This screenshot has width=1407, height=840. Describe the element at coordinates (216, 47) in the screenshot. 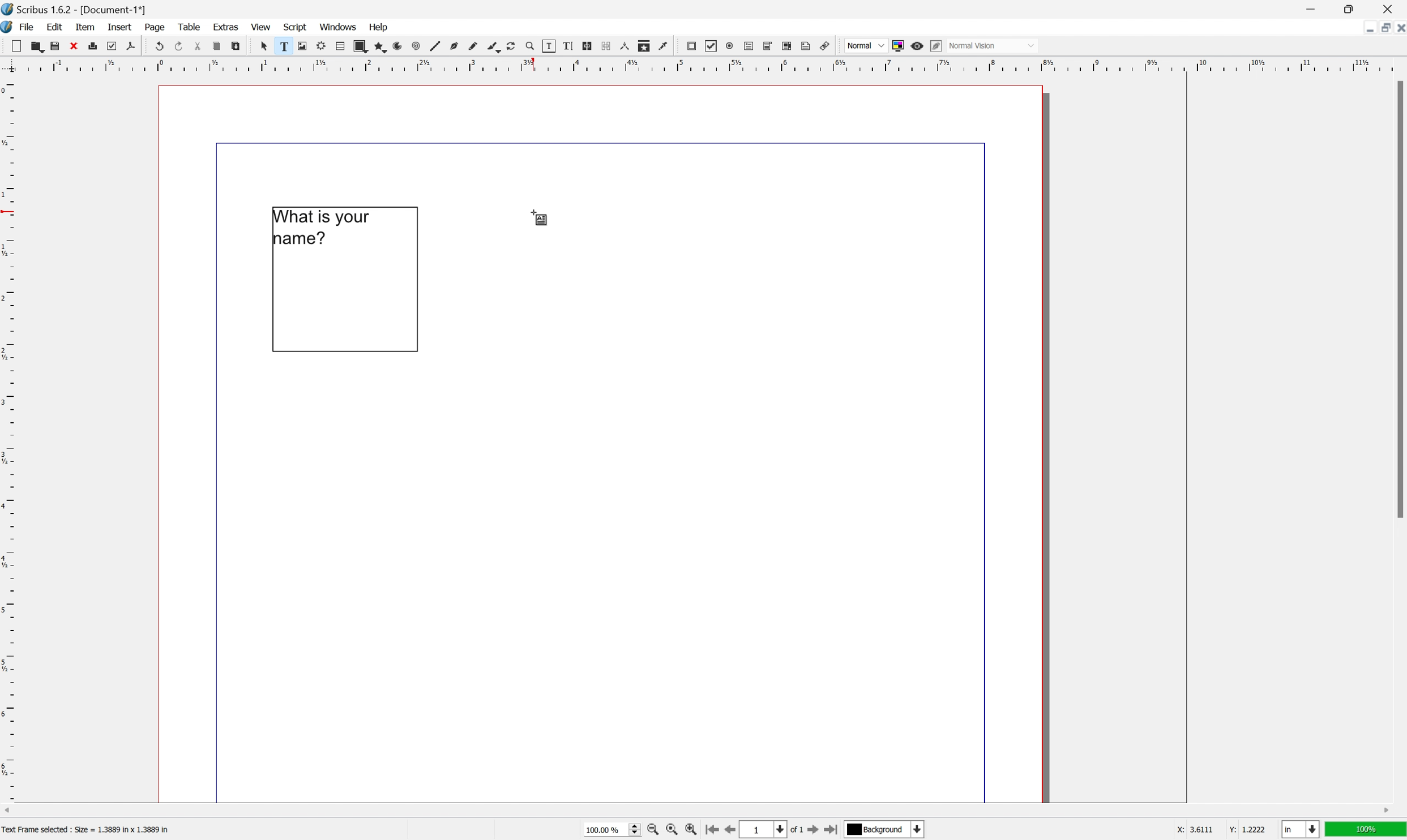

I see `copy` at that location.